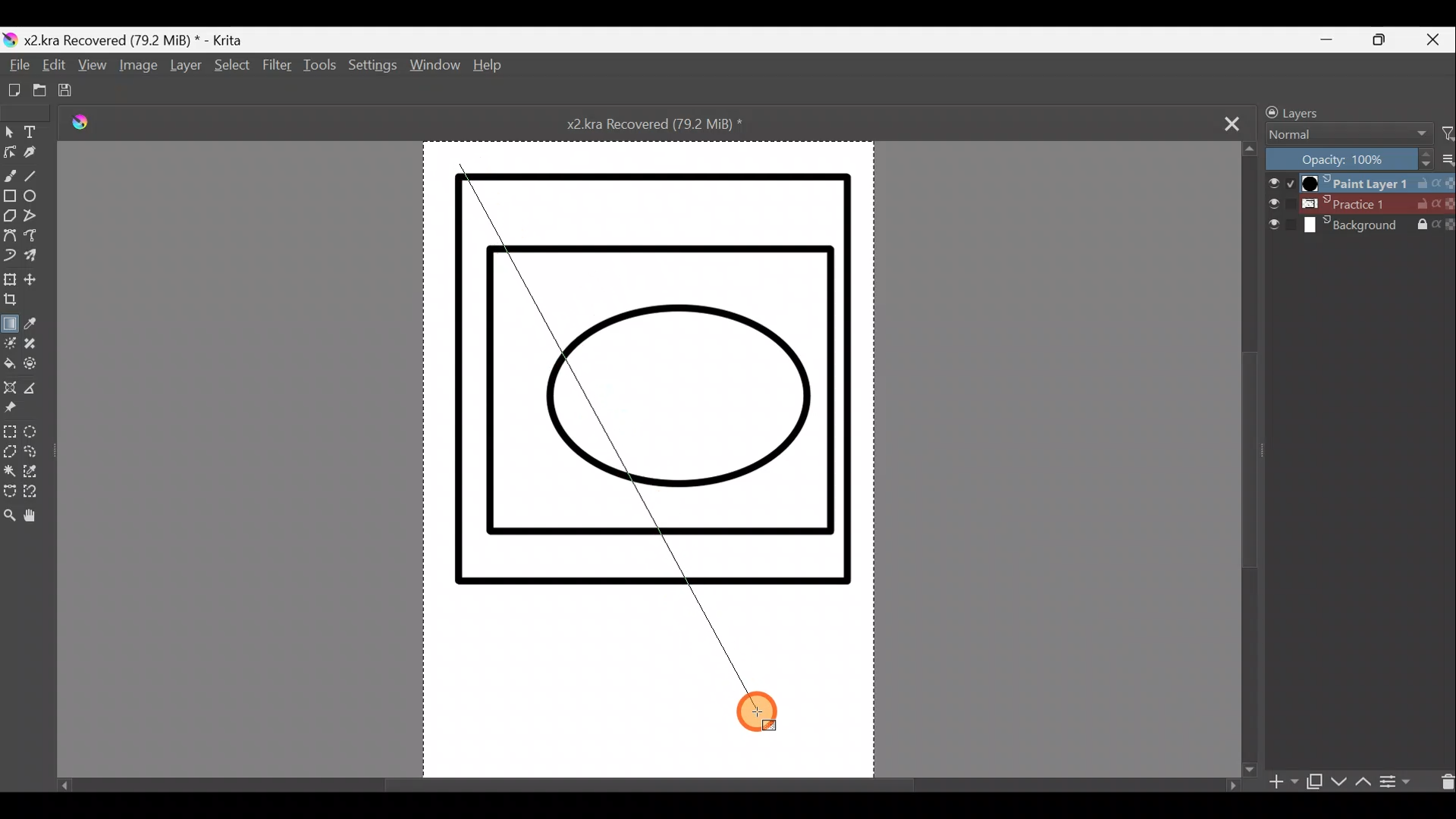 The width and height of the screenshot is (1456, 819). Describe the element at coordinates (9, 493) in the screenshot. I see `Bezier curve selection tool` at that location.